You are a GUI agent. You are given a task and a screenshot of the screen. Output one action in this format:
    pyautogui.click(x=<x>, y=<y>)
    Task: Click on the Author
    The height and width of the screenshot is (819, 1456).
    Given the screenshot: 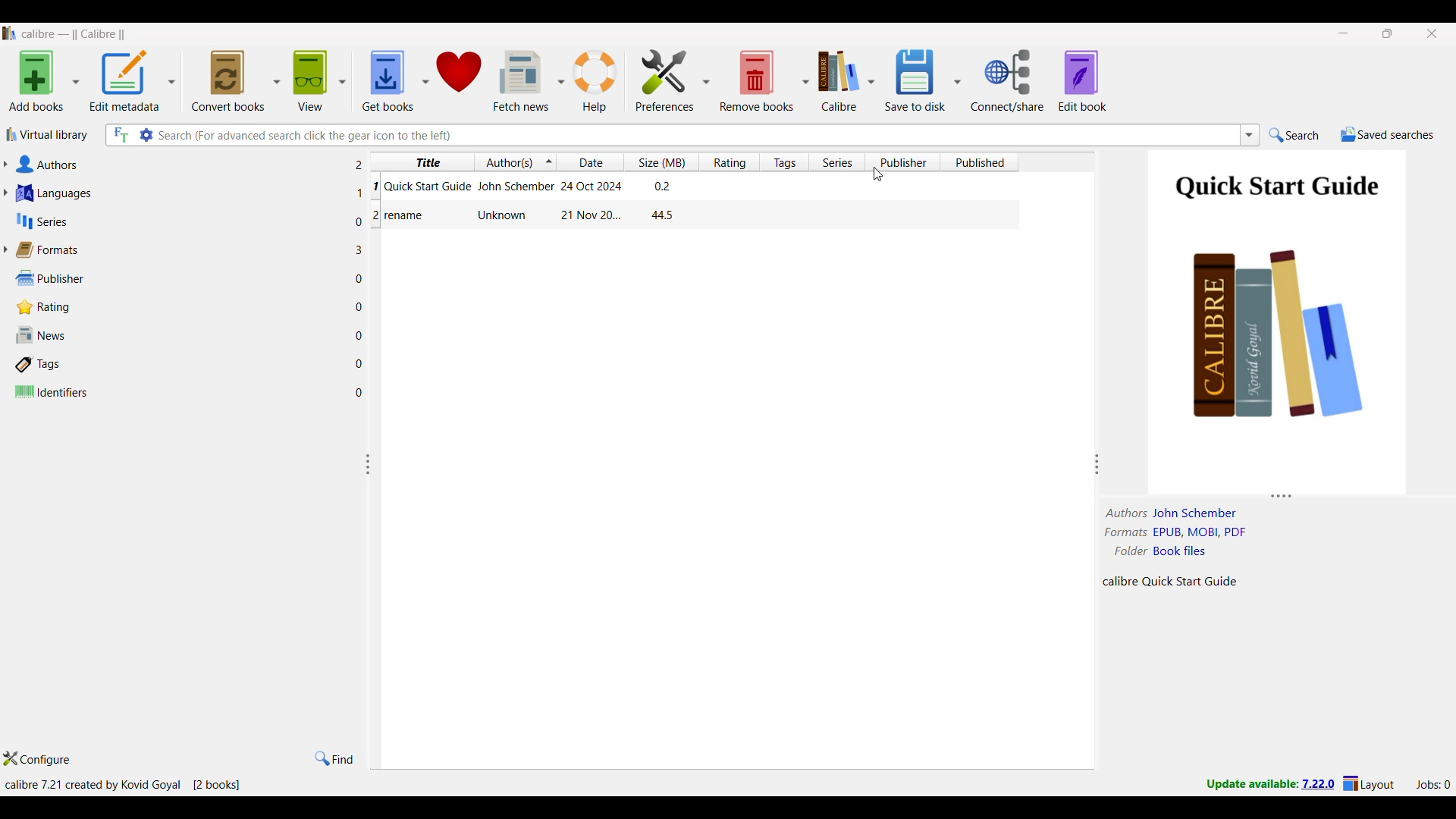 What is the action you would take?
    pyautogui.click(x=504, y=215)
    